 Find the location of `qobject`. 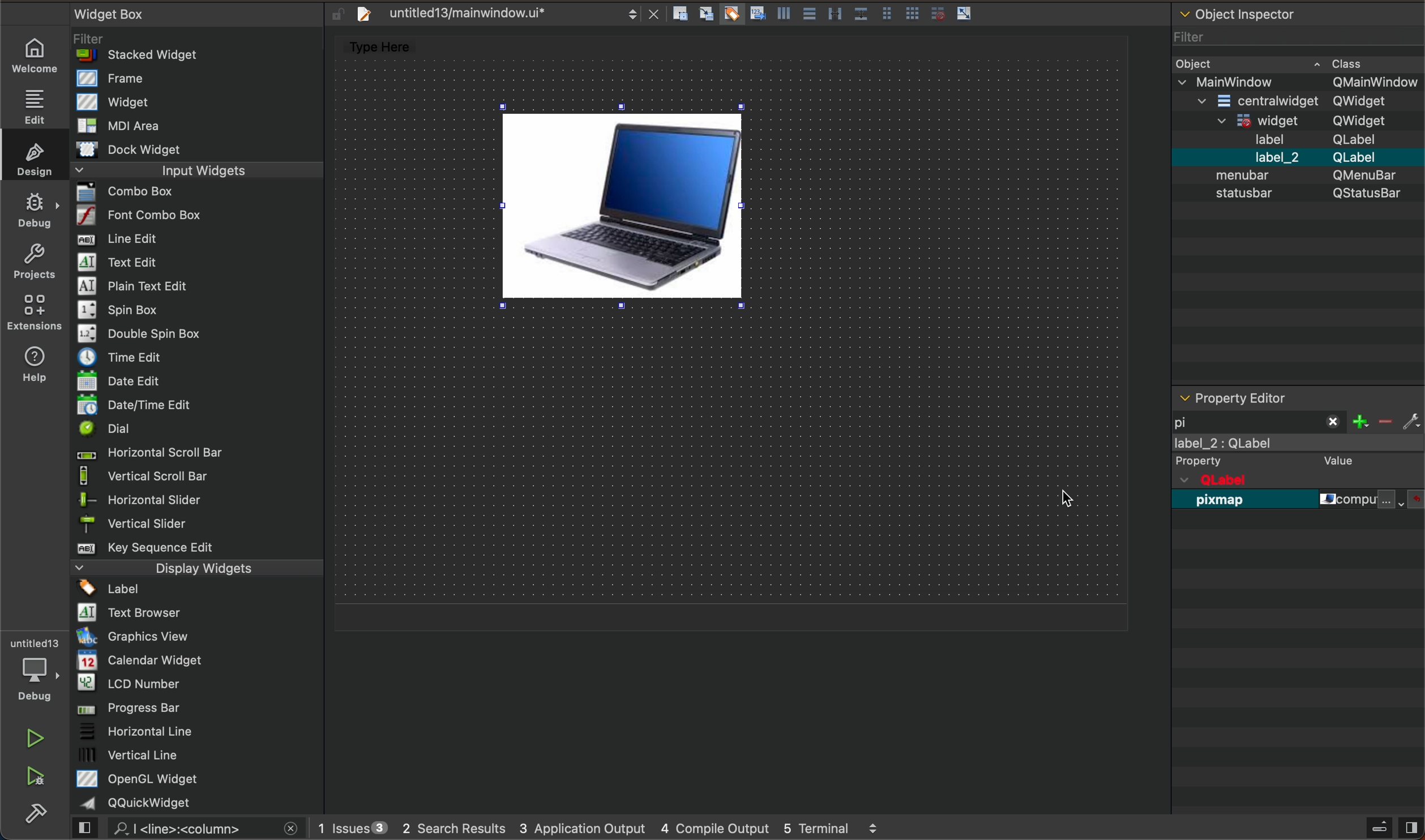

qobject is located at coordinates (1284, 480).